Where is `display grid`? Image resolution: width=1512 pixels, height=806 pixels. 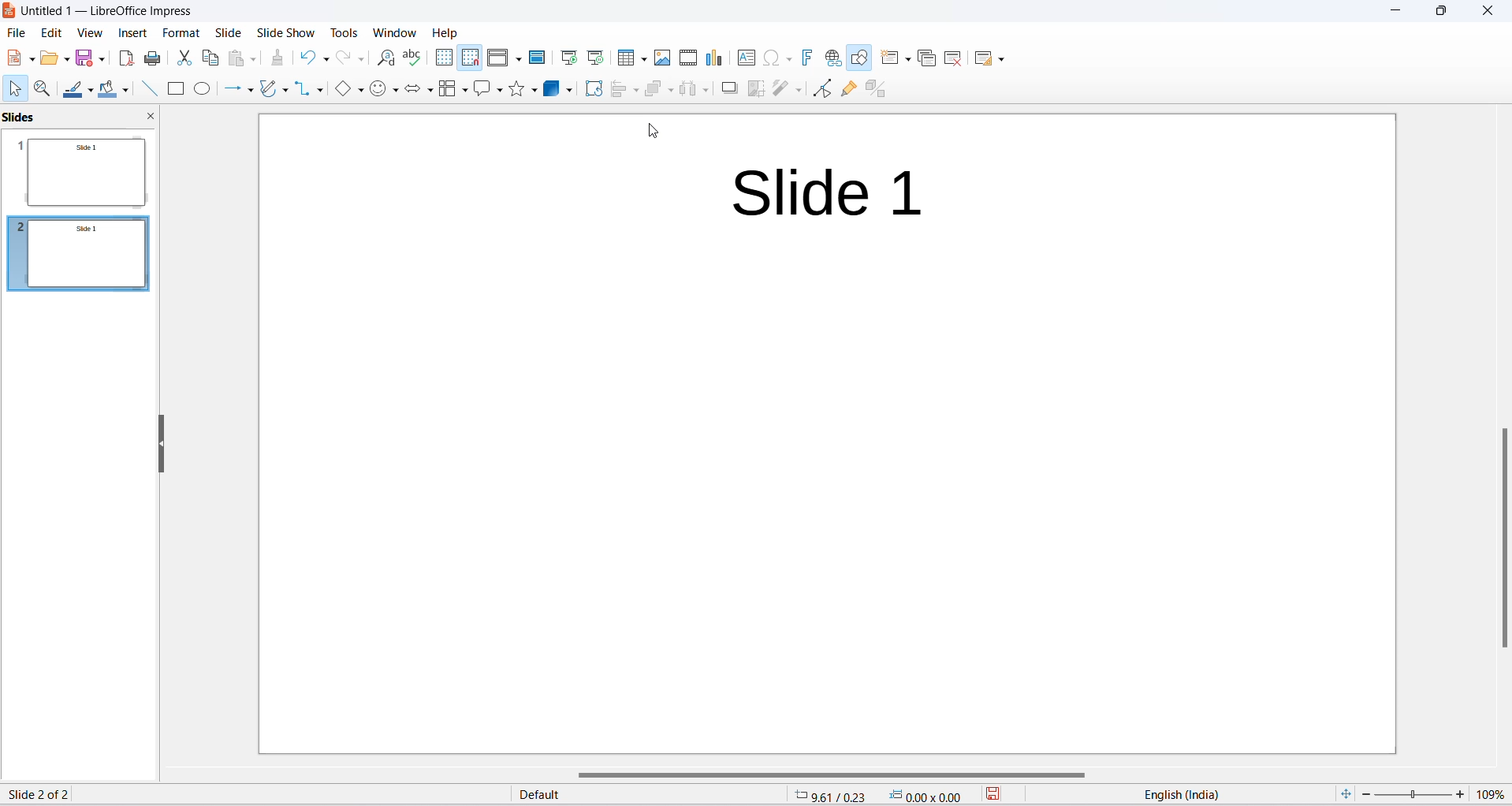
display grid is located at coordinates (441, 58).